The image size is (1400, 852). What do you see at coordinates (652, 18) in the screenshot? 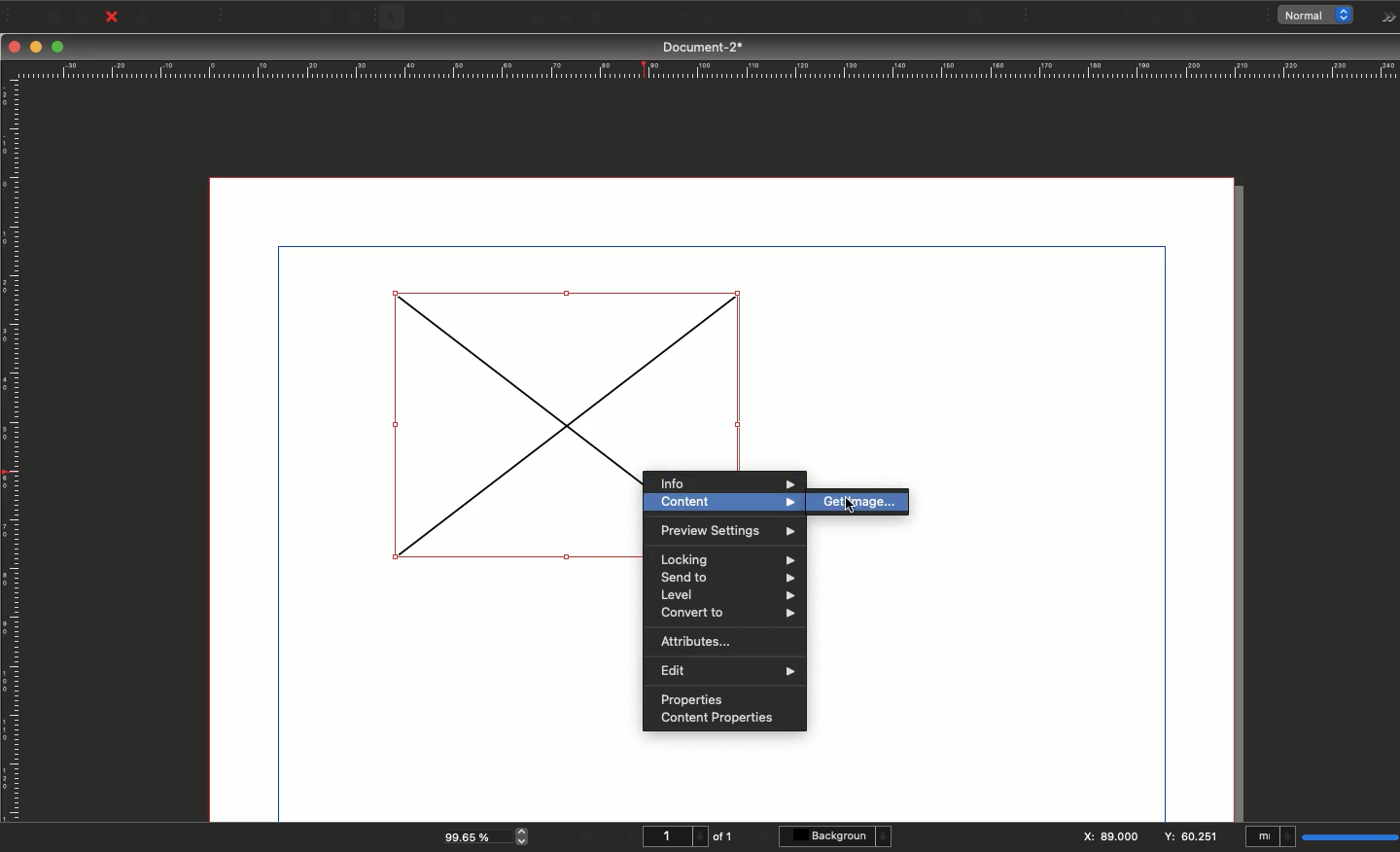
I see `Line` at bounding box center [652, 18].